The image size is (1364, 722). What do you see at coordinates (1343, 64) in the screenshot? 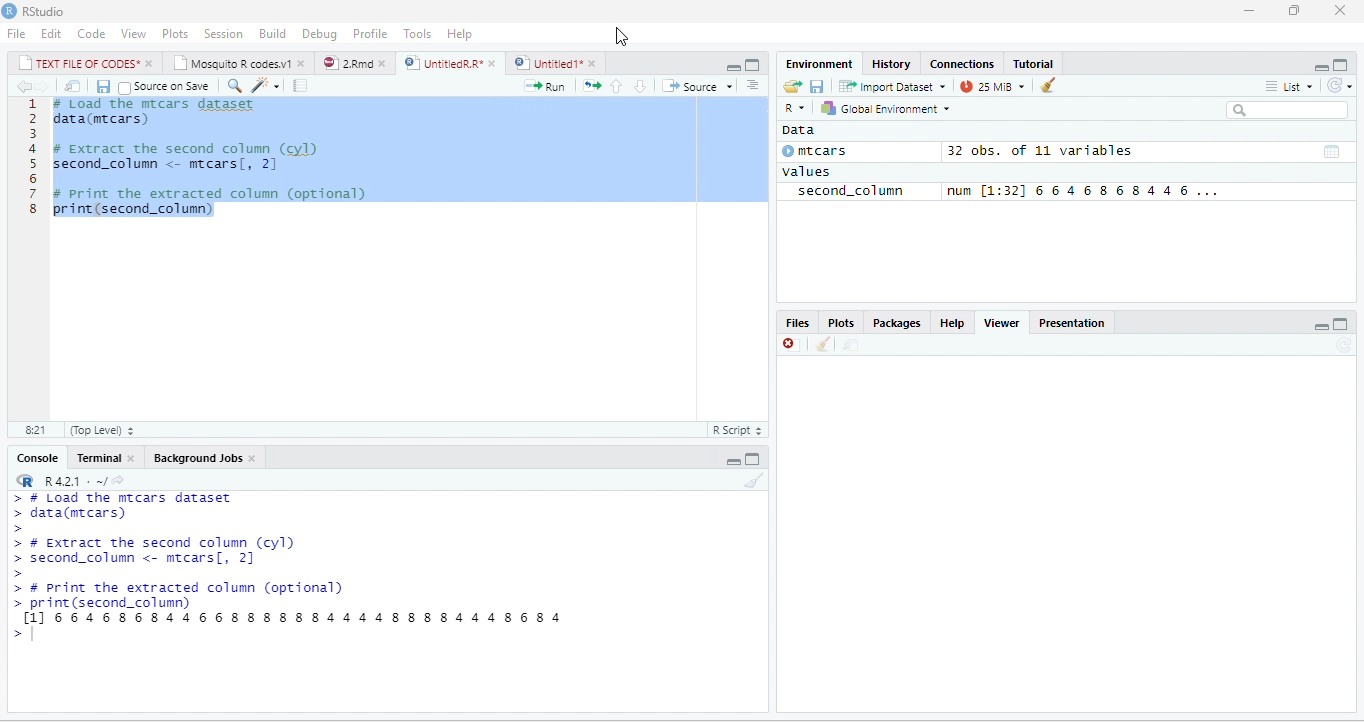
I see `maximize` at bounding box center [1343, 64].